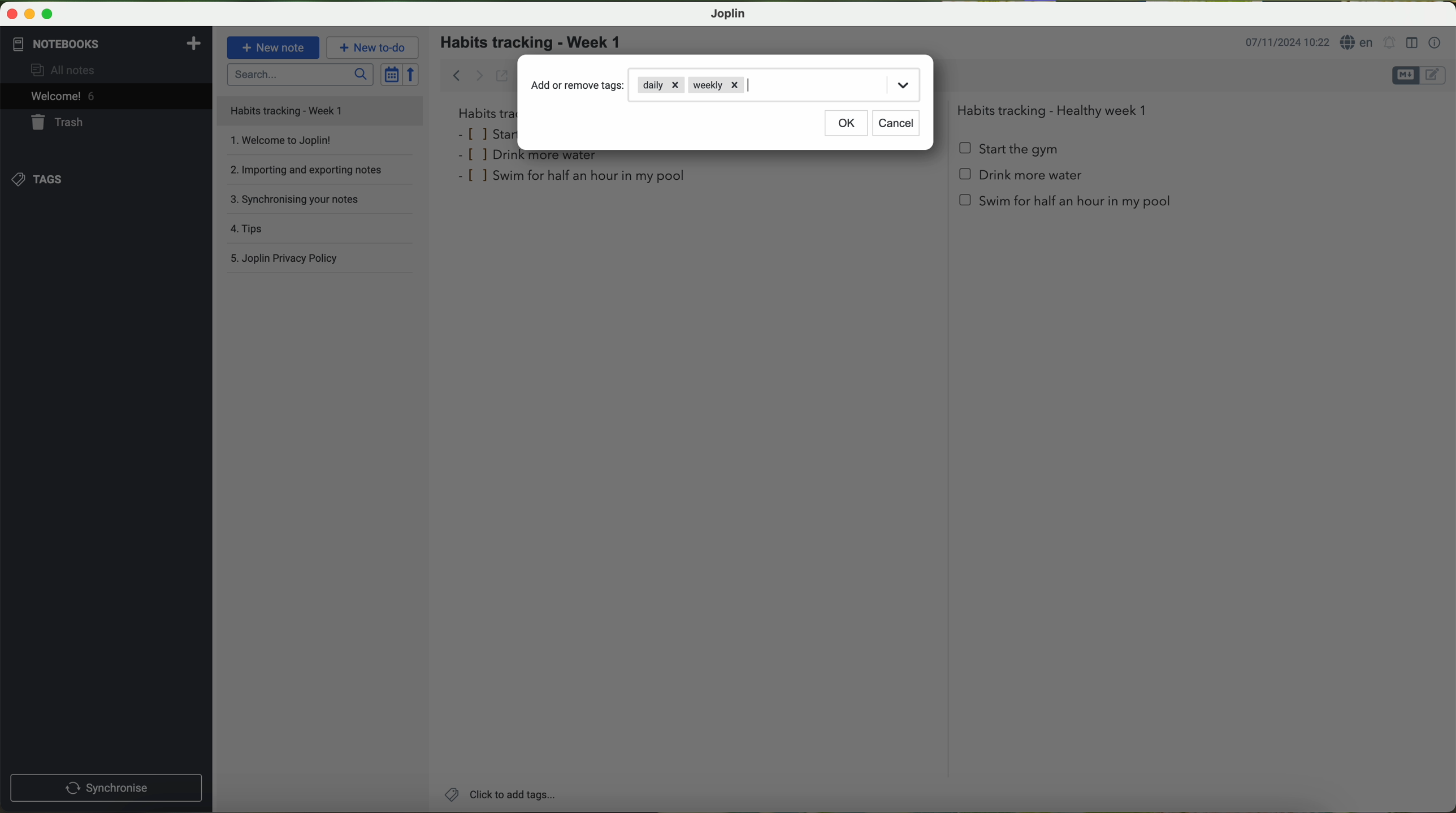  What do you see at coordinates (391, 74) in the screenshot?
I see `toggle sort order field` at bounding box center [391, 74].